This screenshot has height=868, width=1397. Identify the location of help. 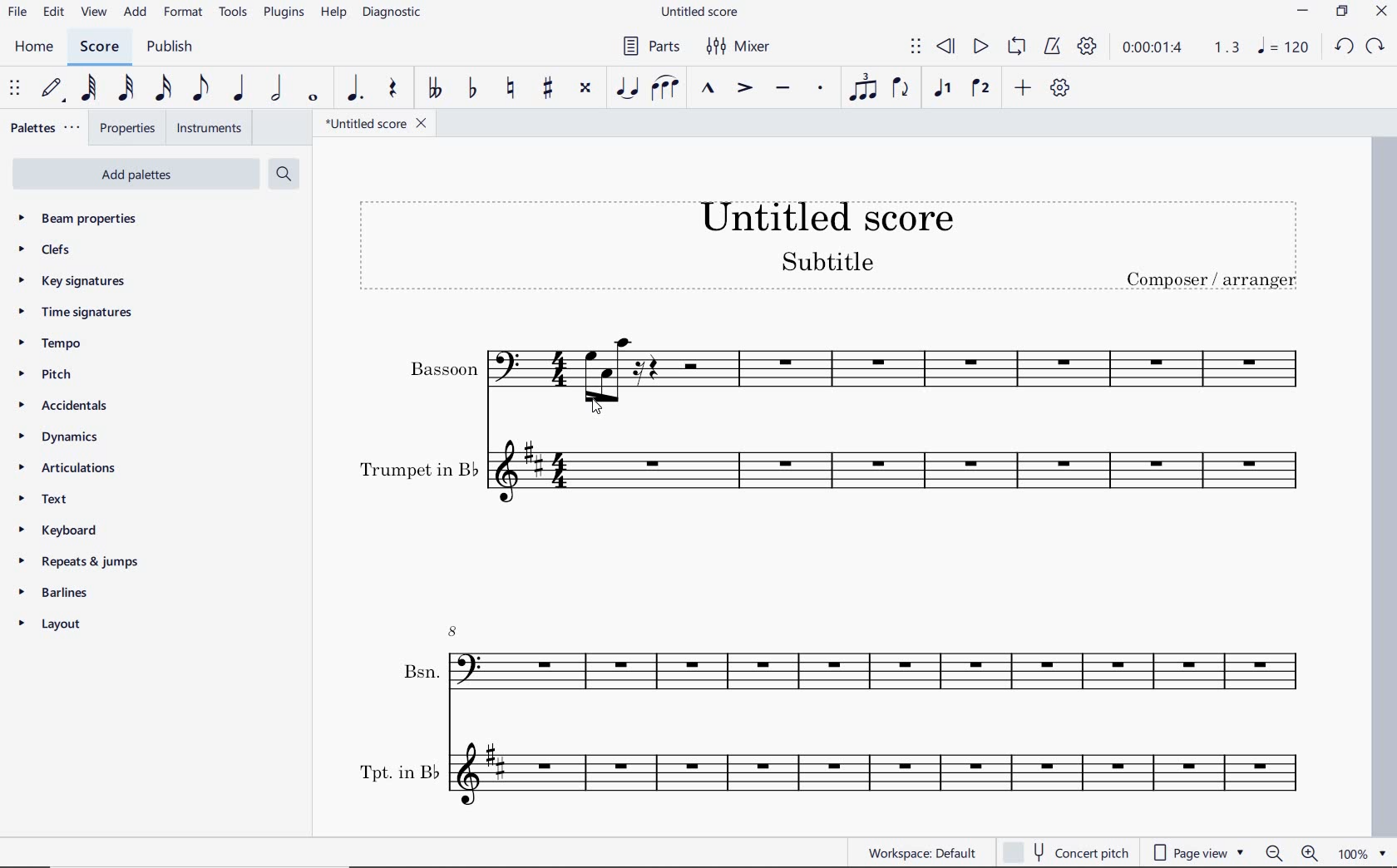
(333, 12).